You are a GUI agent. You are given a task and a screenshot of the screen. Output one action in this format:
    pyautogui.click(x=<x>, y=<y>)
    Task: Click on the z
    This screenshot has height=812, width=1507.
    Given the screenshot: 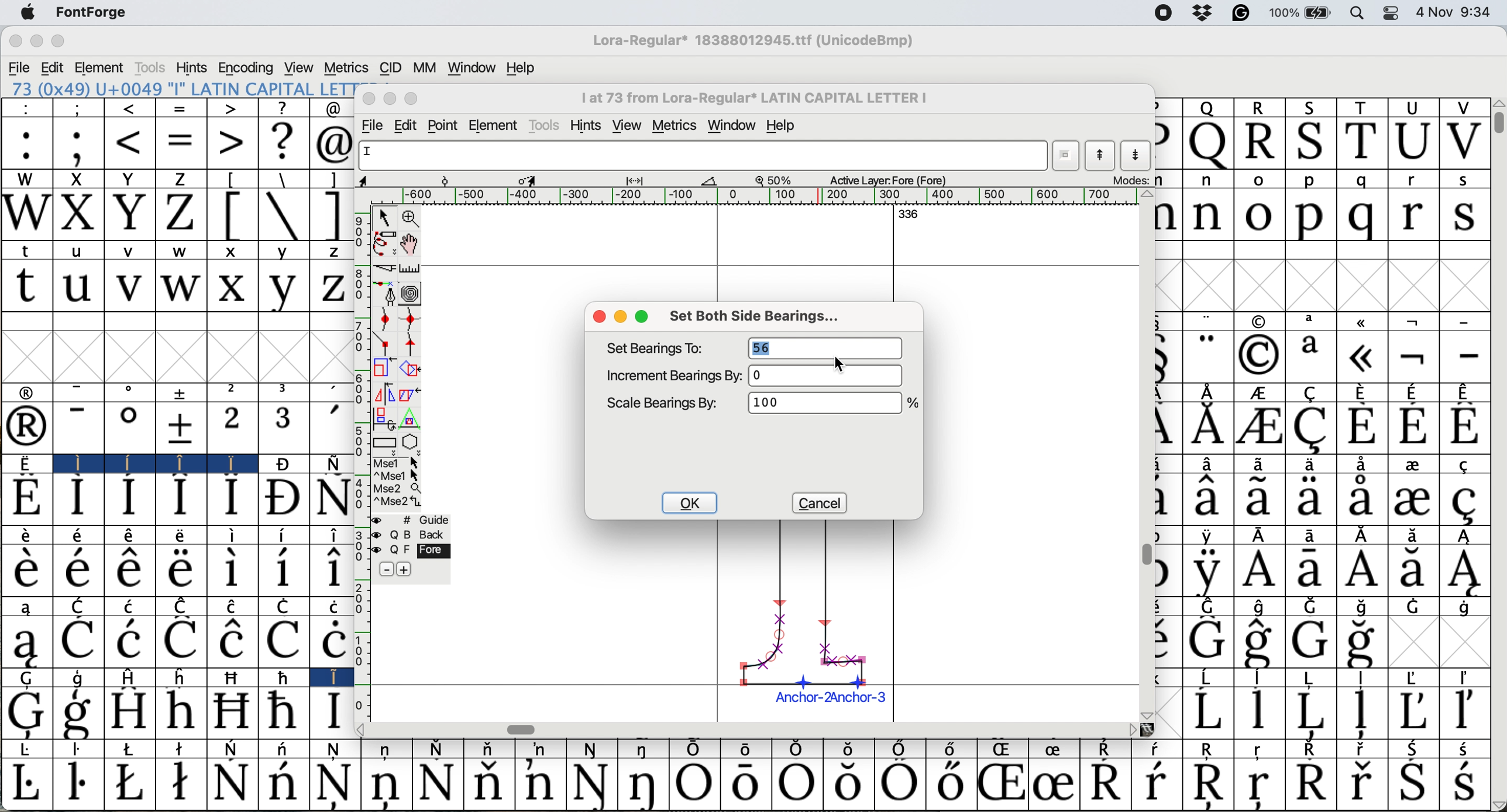 What is the action you would take?
    pyautogui.click(x=330, y=253)
    